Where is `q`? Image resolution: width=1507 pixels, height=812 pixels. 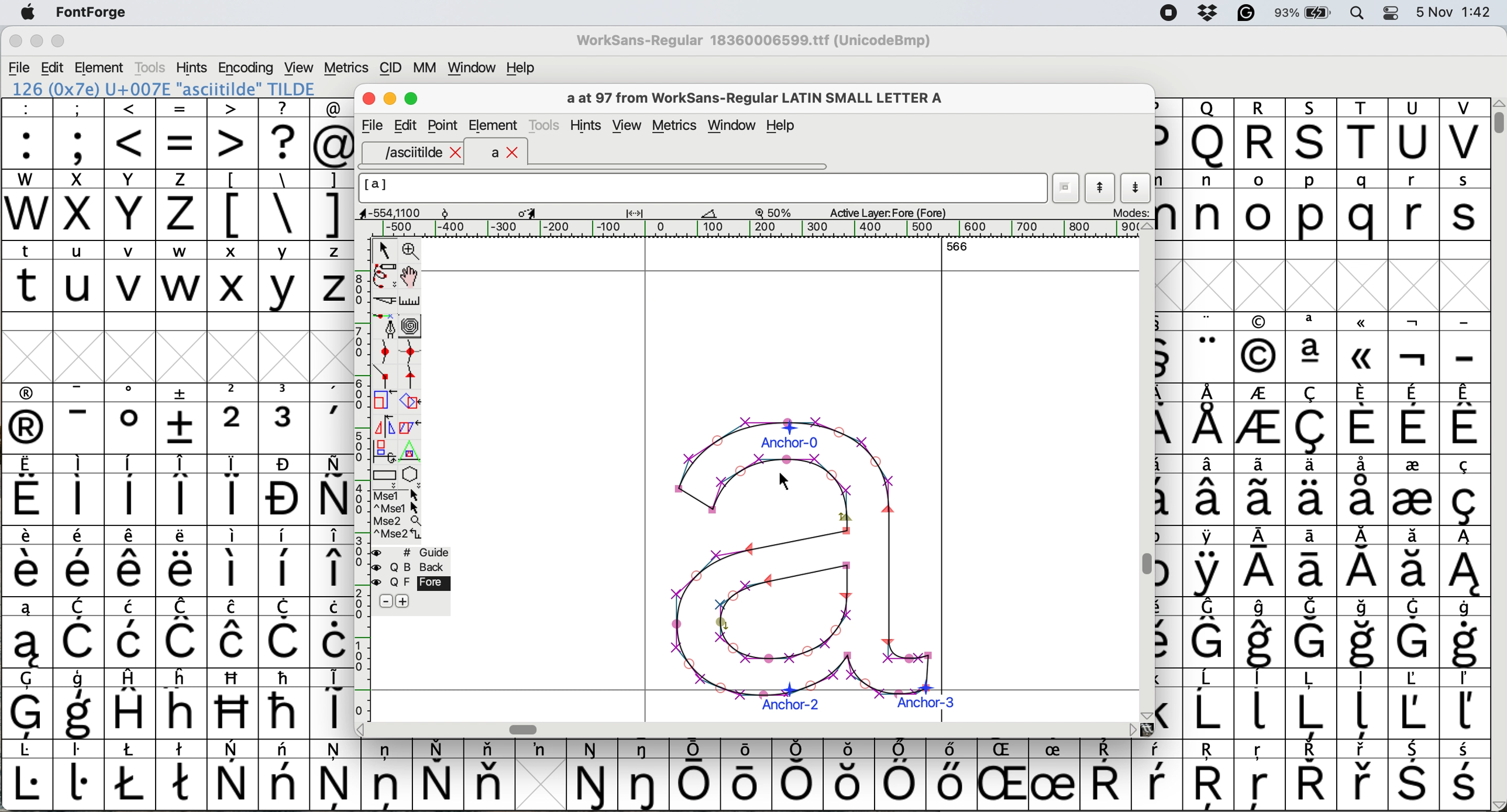
q is located at coordinates (1365, 206).